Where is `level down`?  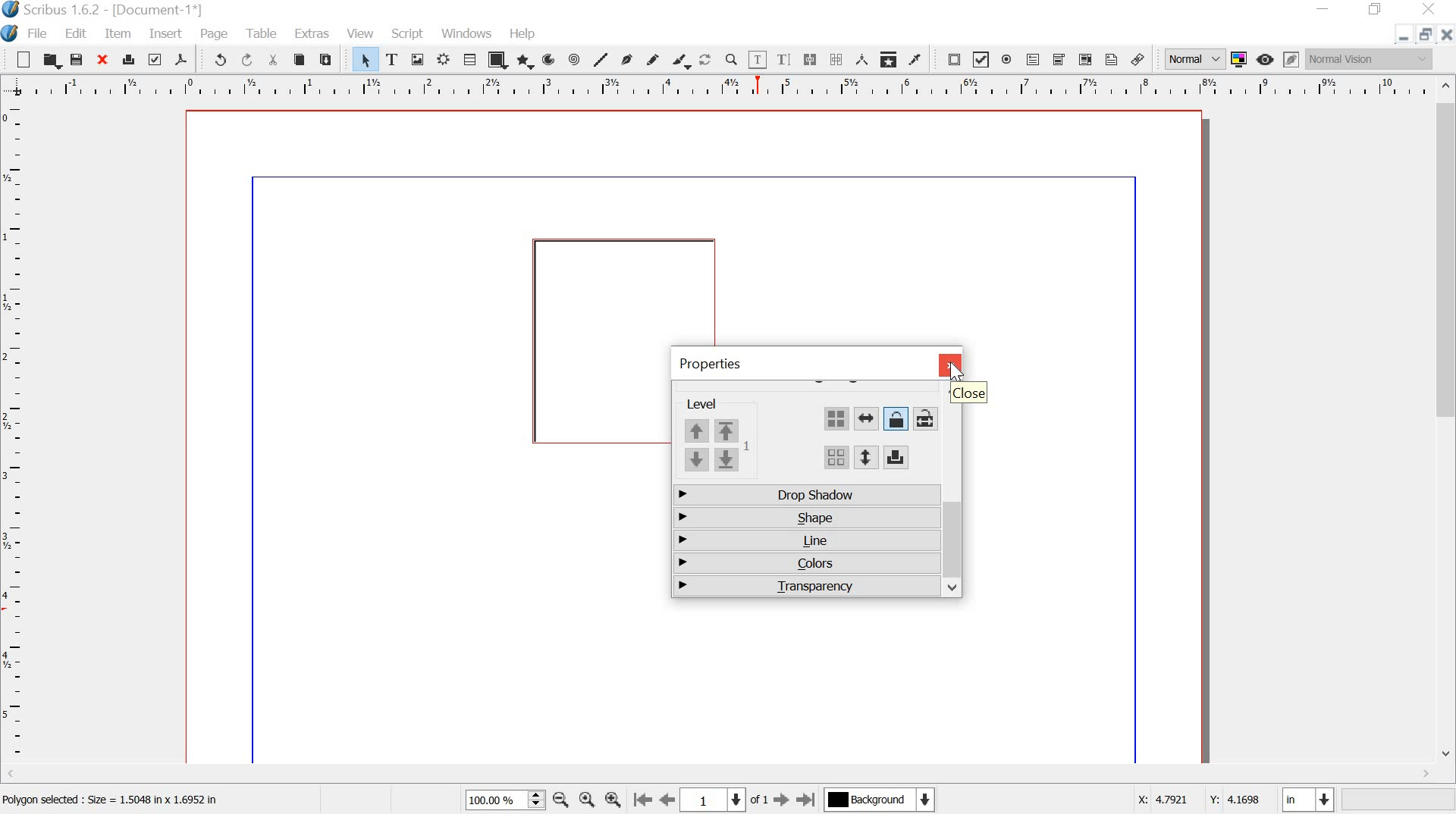
level down is located at coordinates (712, 460).